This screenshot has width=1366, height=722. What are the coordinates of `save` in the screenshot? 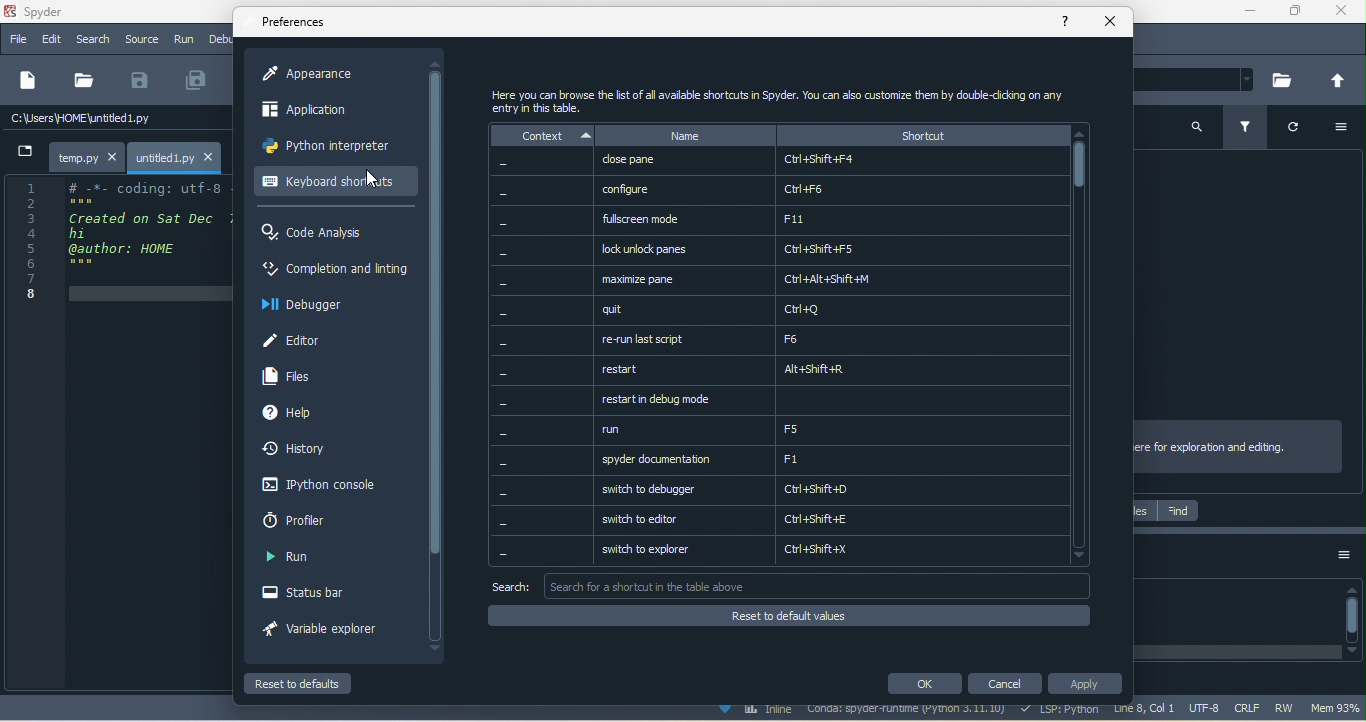 It's located at (143, 81).